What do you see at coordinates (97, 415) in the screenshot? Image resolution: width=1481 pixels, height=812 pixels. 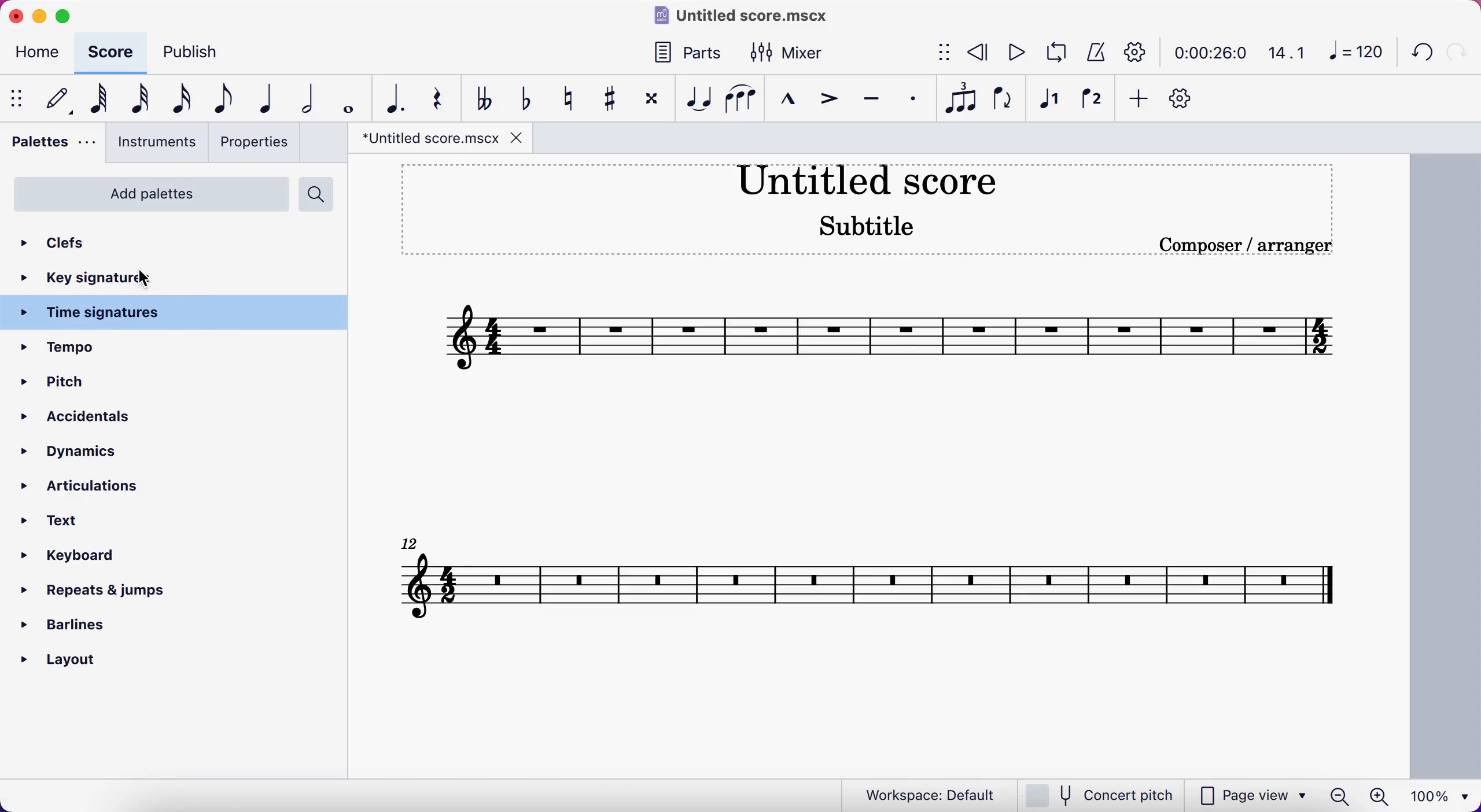 I see `accidentals` at bounding box center [97, 415].